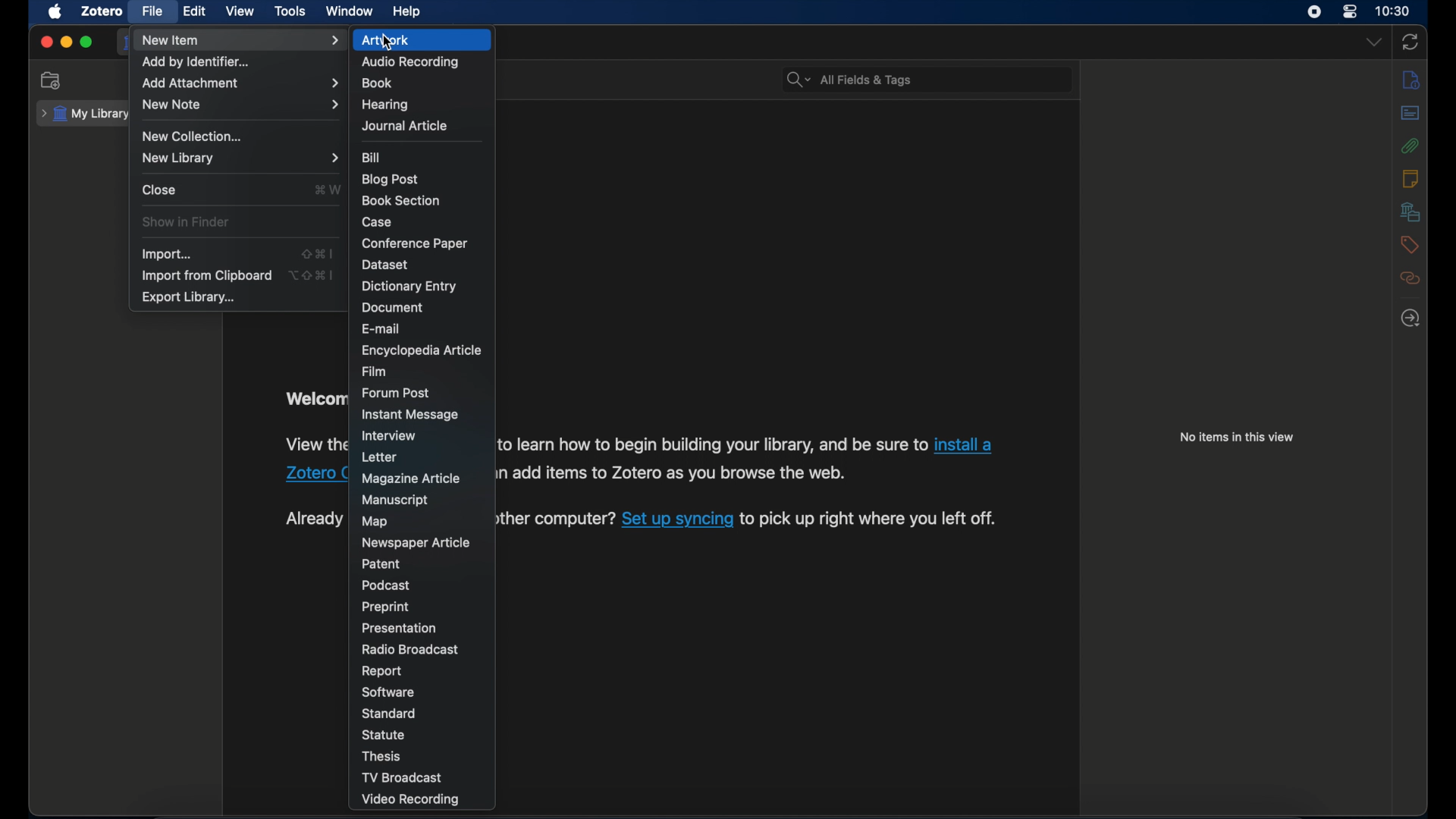 The height and width of the screenshot is (819, 1456). I want to click on book section, so click(400, 201).